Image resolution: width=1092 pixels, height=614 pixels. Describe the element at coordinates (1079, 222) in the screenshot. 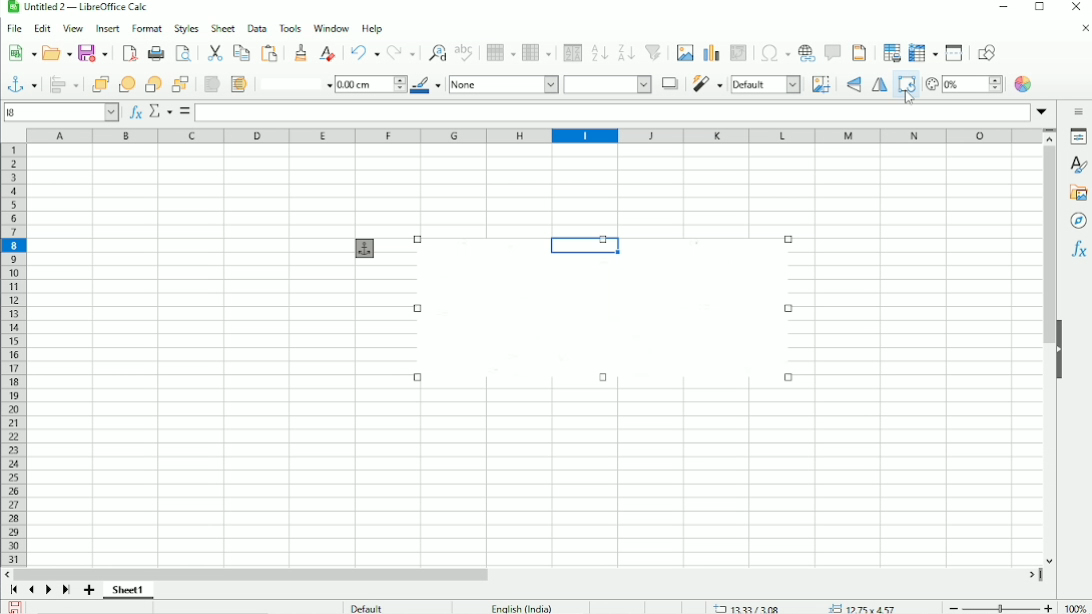

I see `Navigator` at that location.